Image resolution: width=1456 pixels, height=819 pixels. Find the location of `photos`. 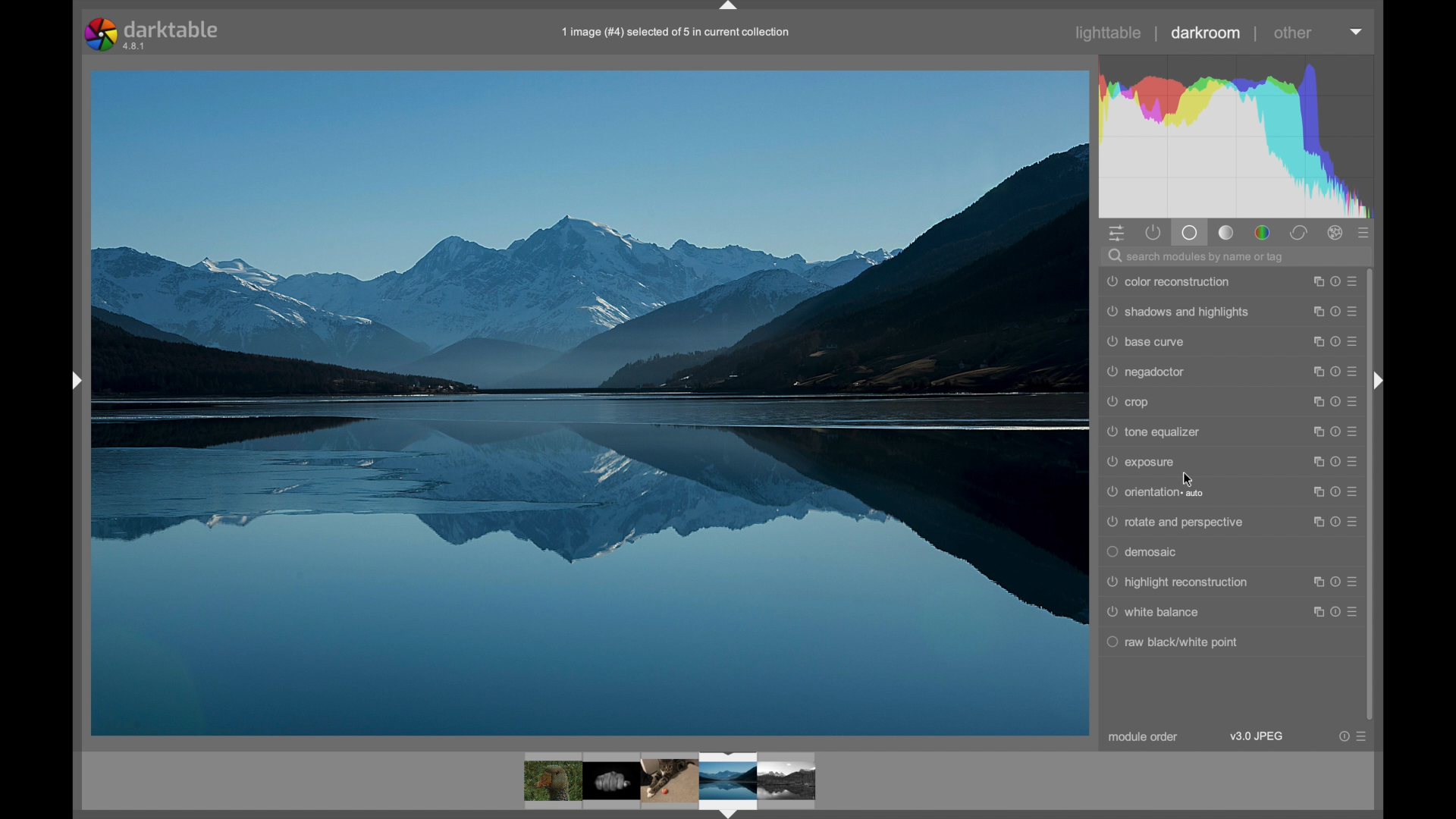

photos is located at coordinates (670, 783).